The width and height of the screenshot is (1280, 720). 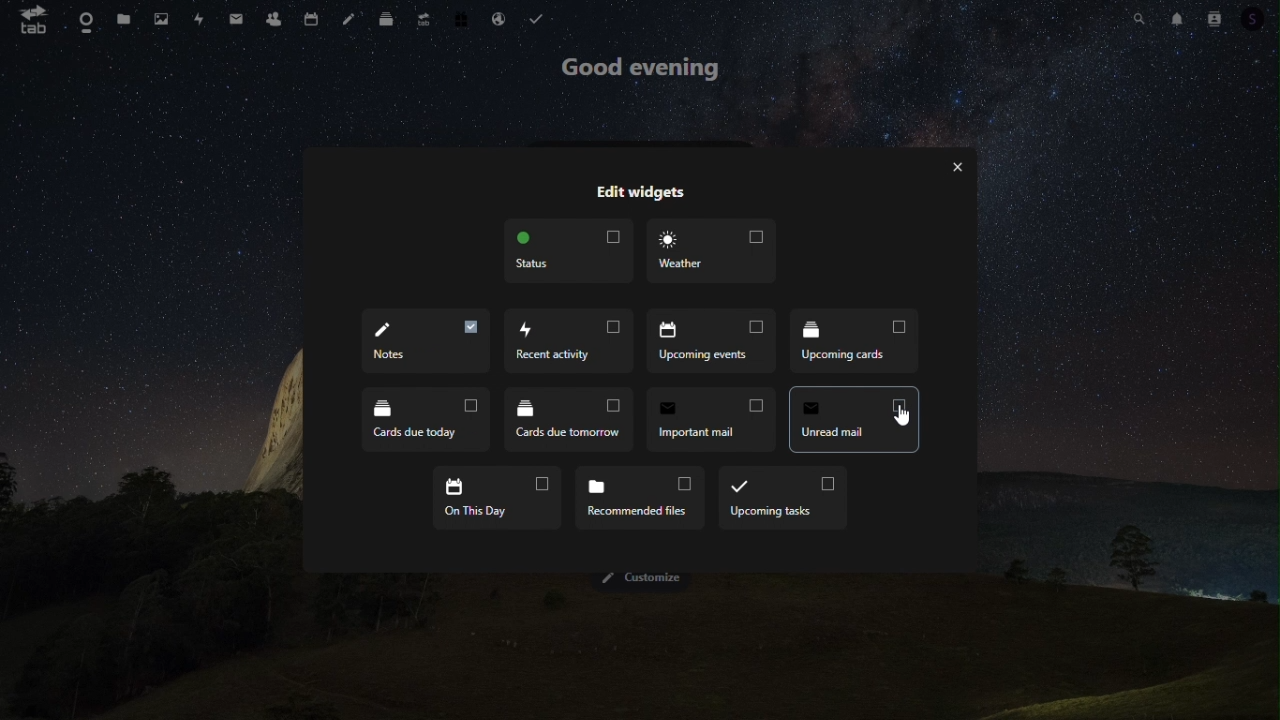 What do you see at coordinates (119, 18) in the screenshot?
I see `Files` at bounding box center [119, 18].